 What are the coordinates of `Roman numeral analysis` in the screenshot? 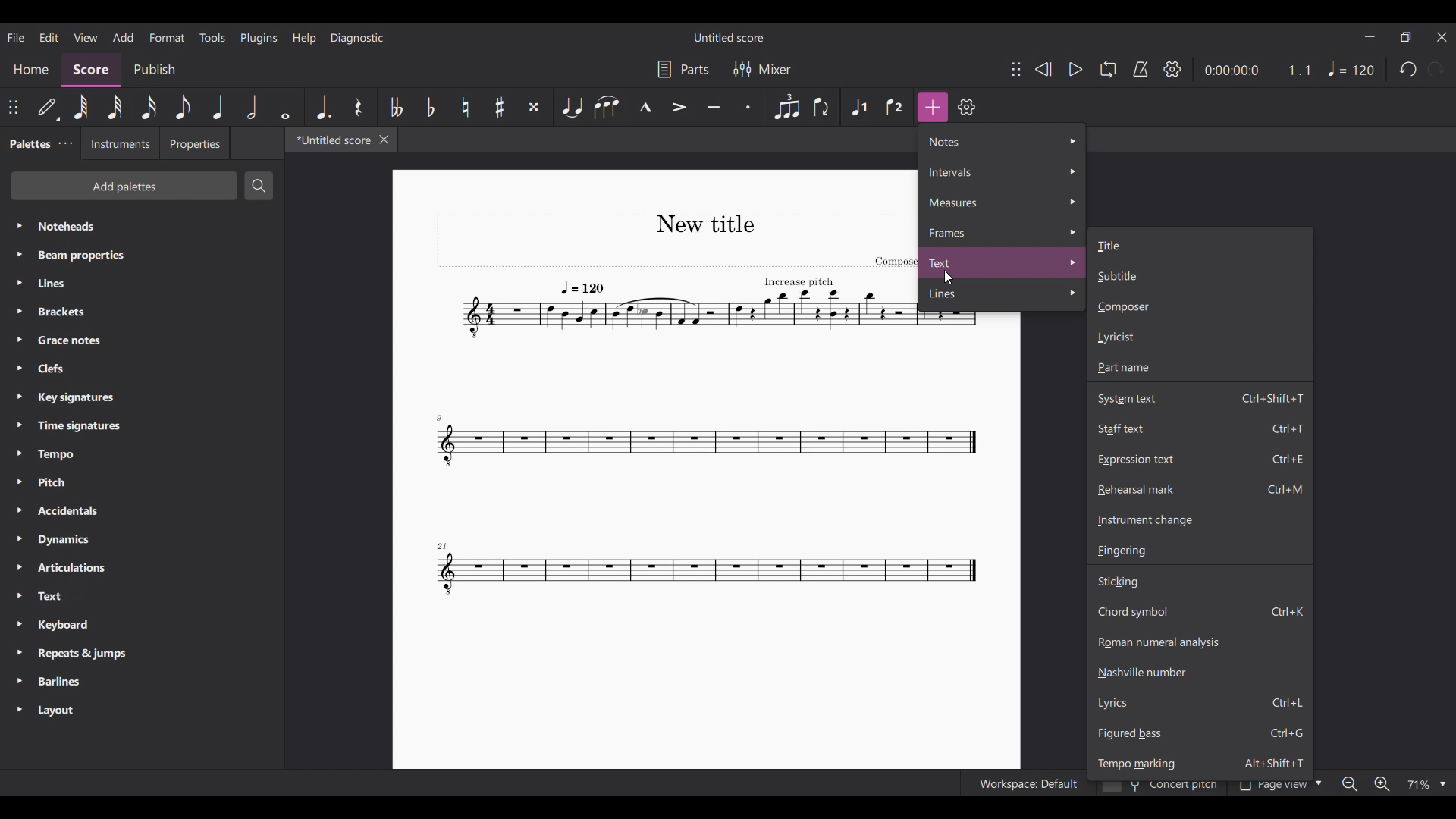 It's located at (1200, 642).